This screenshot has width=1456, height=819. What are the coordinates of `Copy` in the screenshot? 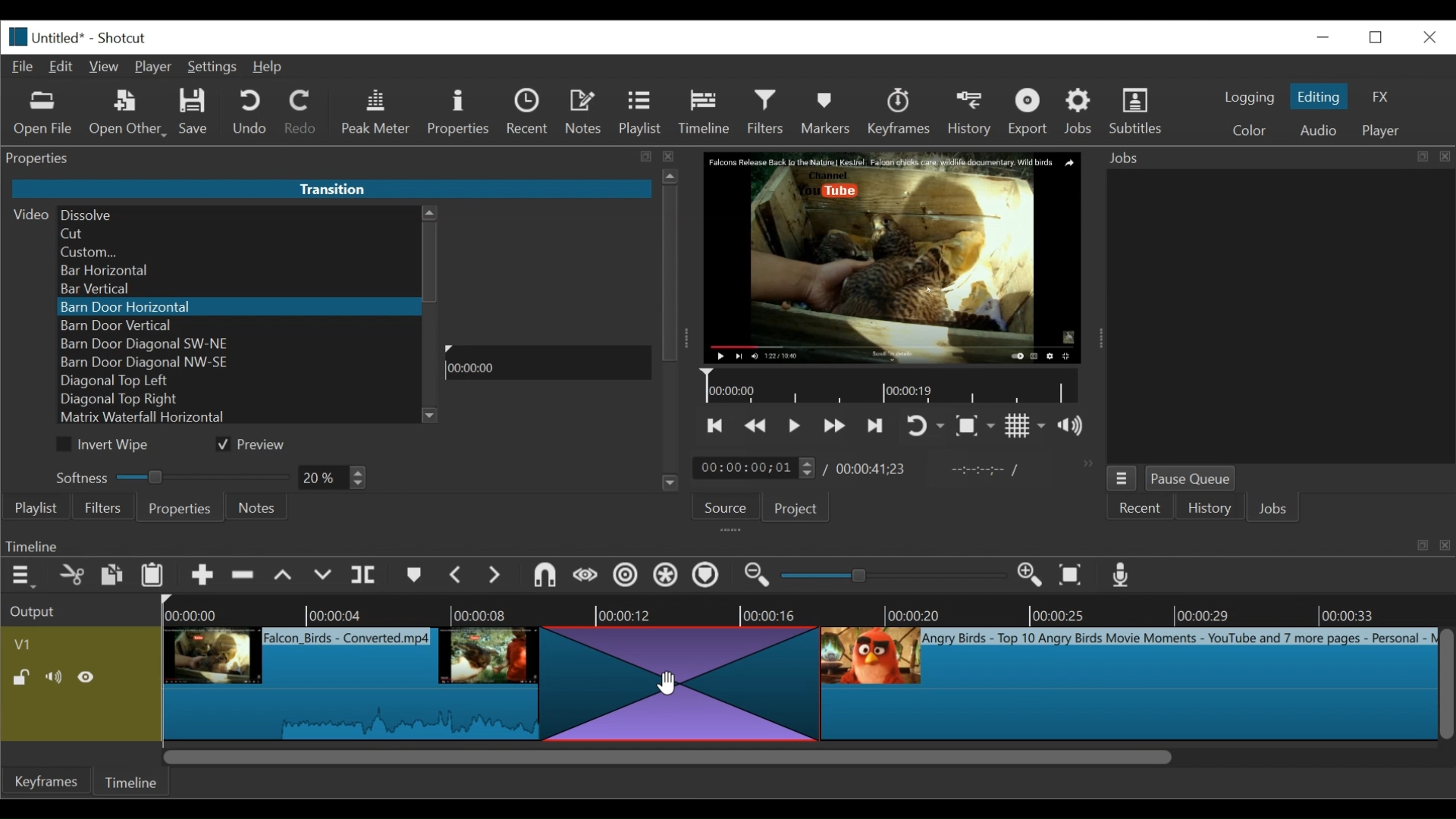 It's located at (113, 574).